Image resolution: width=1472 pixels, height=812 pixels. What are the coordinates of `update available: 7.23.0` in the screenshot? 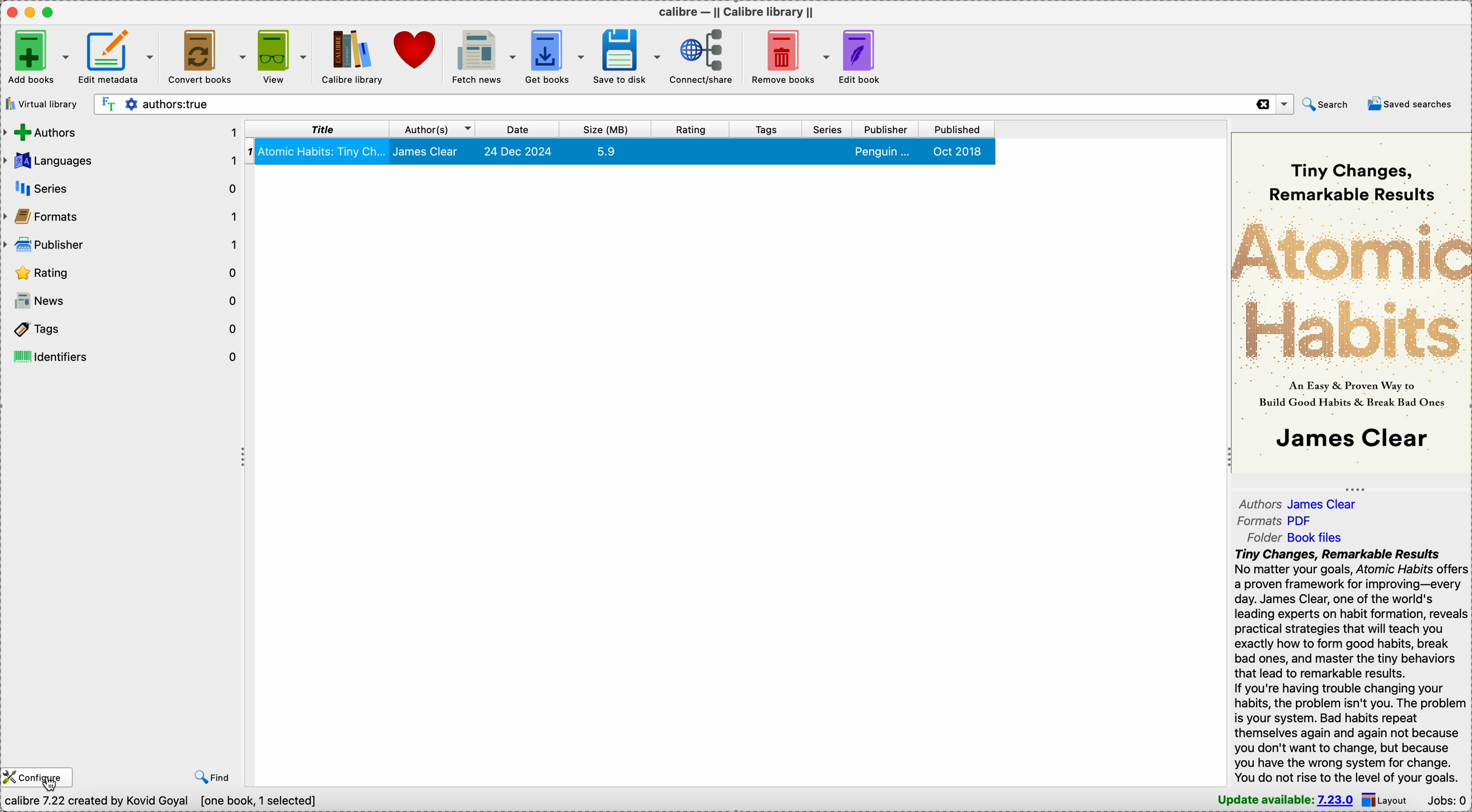 It's located at (1283, 800).